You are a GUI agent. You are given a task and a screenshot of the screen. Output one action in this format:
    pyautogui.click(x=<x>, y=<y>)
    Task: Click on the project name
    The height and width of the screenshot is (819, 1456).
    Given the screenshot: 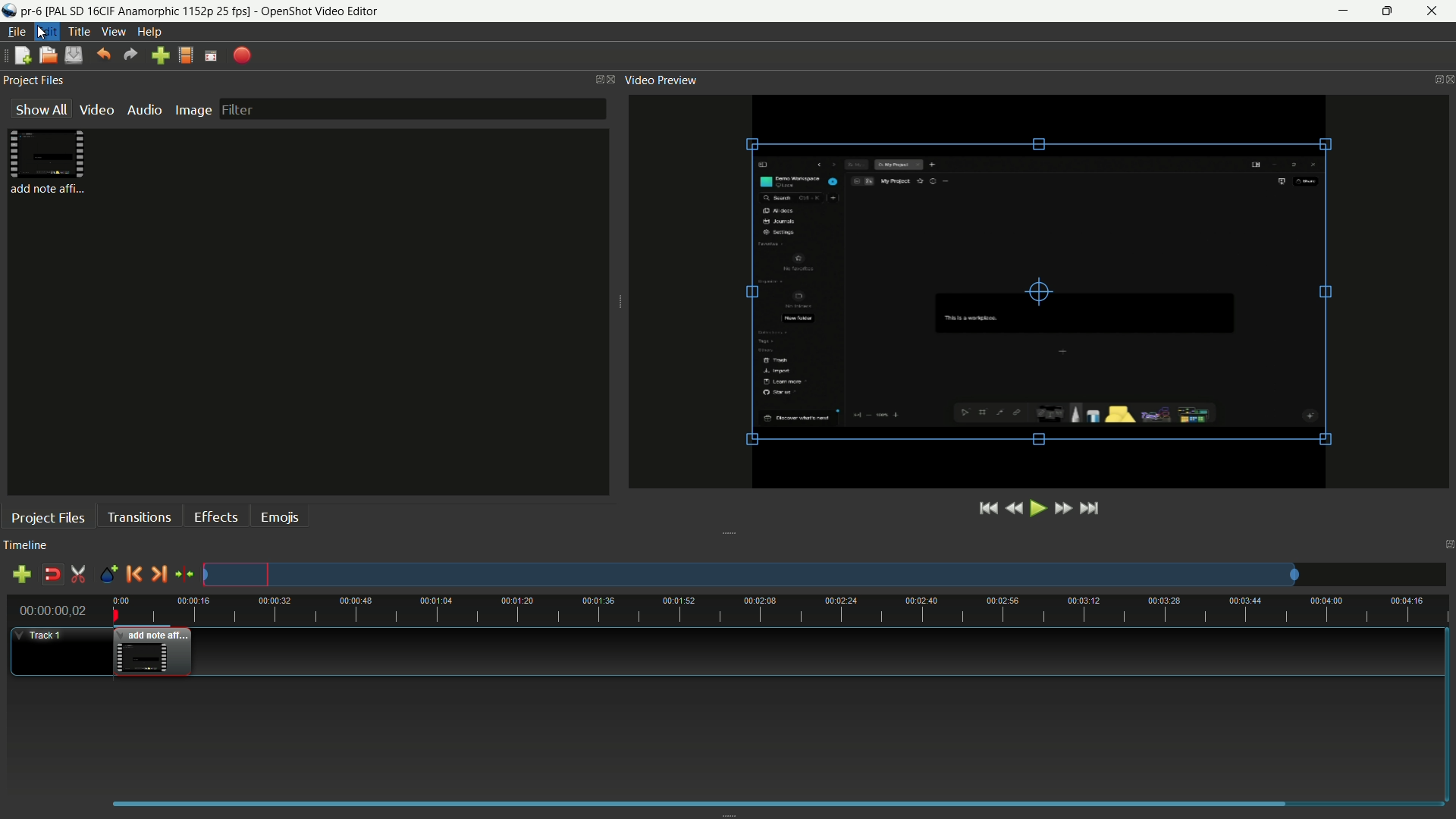 What is the action you would take?
    pyautogui.click(x=31, y=11)
    